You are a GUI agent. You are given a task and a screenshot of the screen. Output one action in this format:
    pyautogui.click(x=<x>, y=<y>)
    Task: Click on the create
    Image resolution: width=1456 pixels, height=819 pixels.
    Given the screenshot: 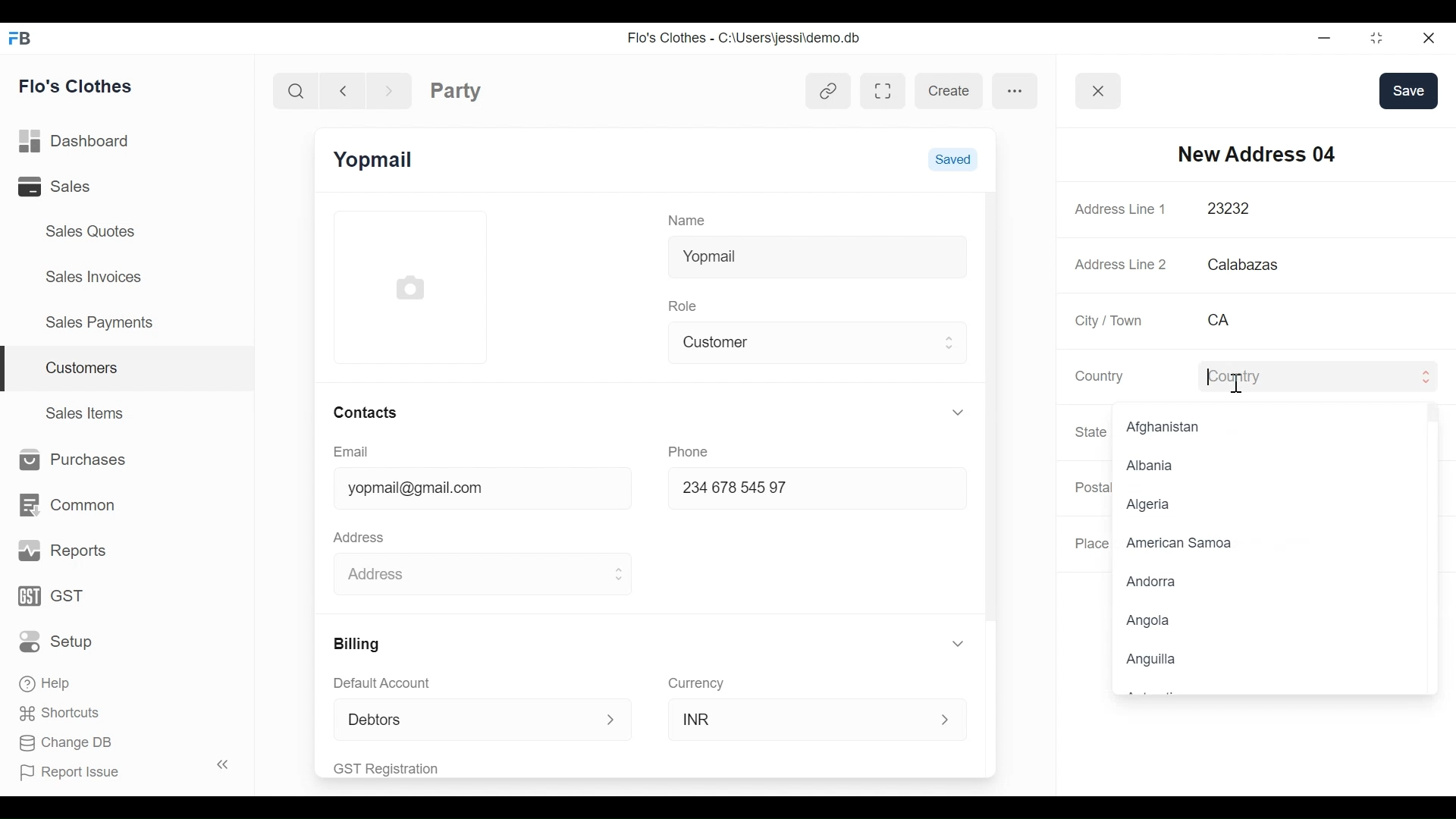 What is the action you would take?
    pyautogui.click(x=948, y=91)
    